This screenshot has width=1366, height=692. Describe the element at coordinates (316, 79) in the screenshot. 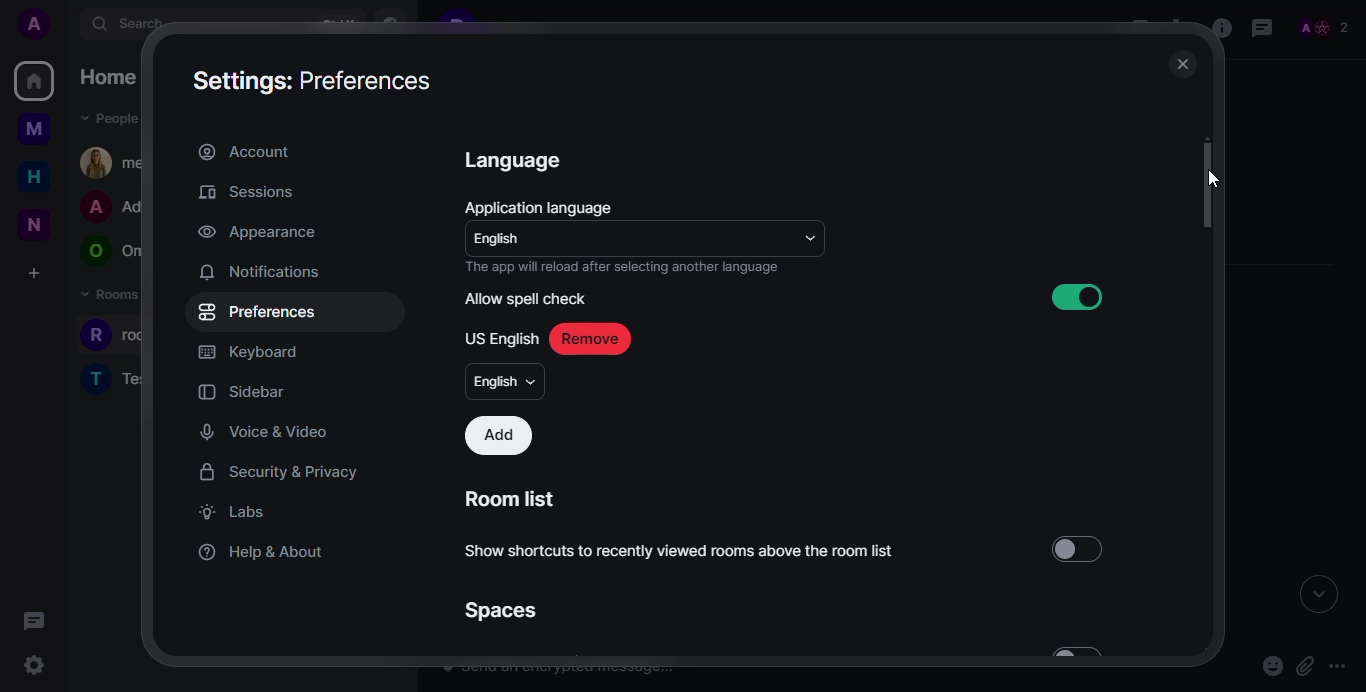

I see `settings preferences` at that location.